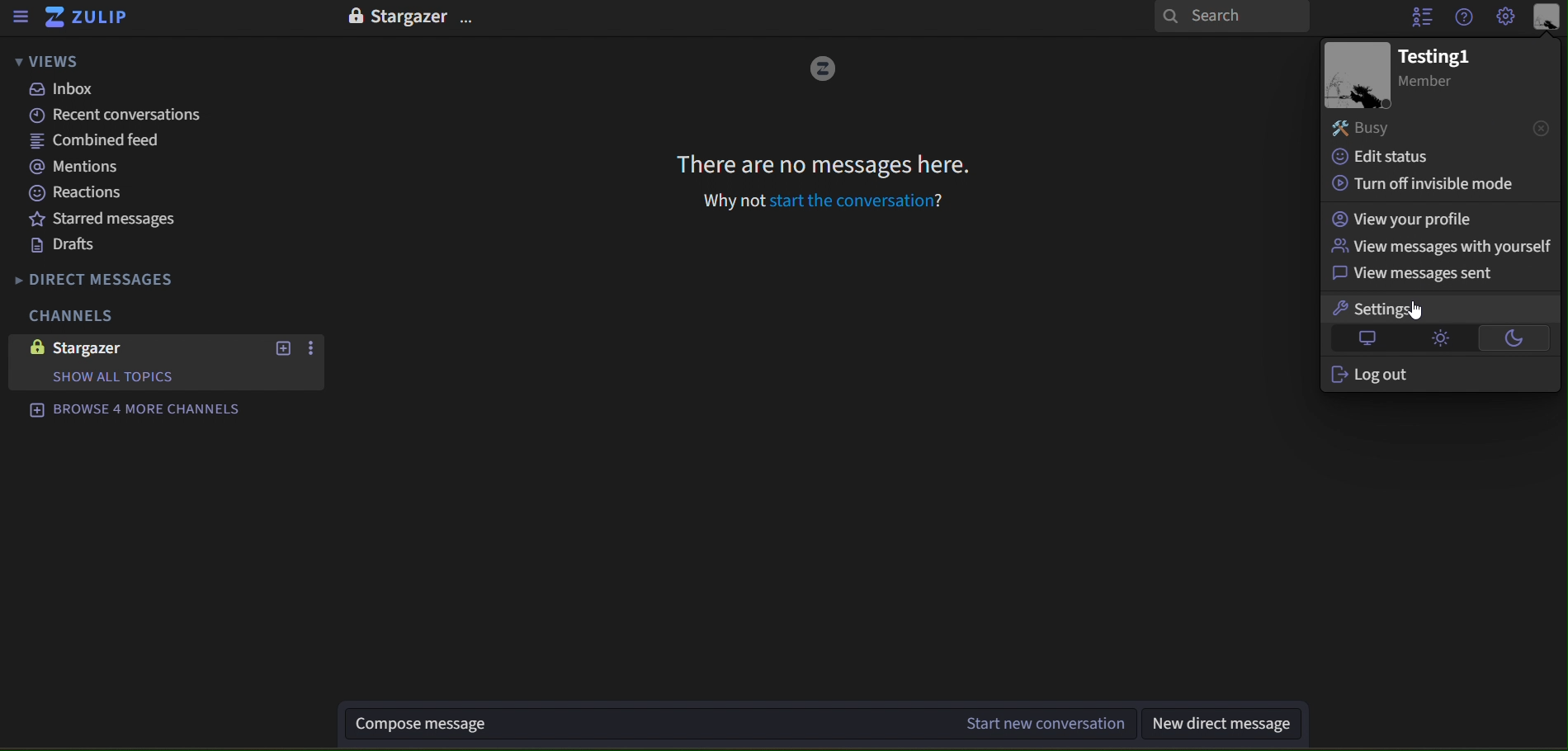 This screenshot has width=1568, height=751. What do you see at coordinates (92, 193) in the screenshot?
I see `reactions` at bounding box center [92, 193].